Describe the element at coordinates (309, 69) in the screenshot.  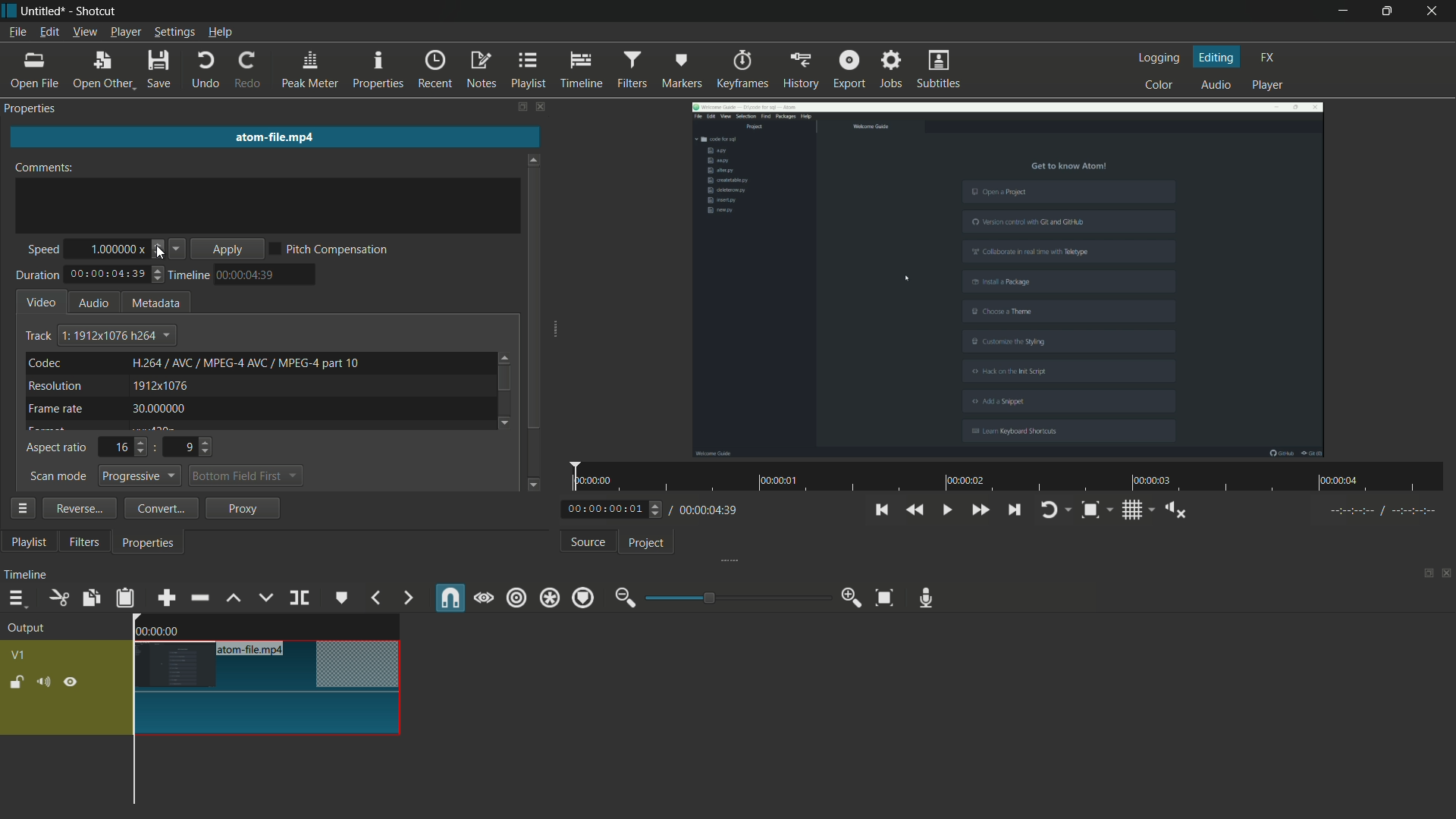
I see `peak meter` at that location.